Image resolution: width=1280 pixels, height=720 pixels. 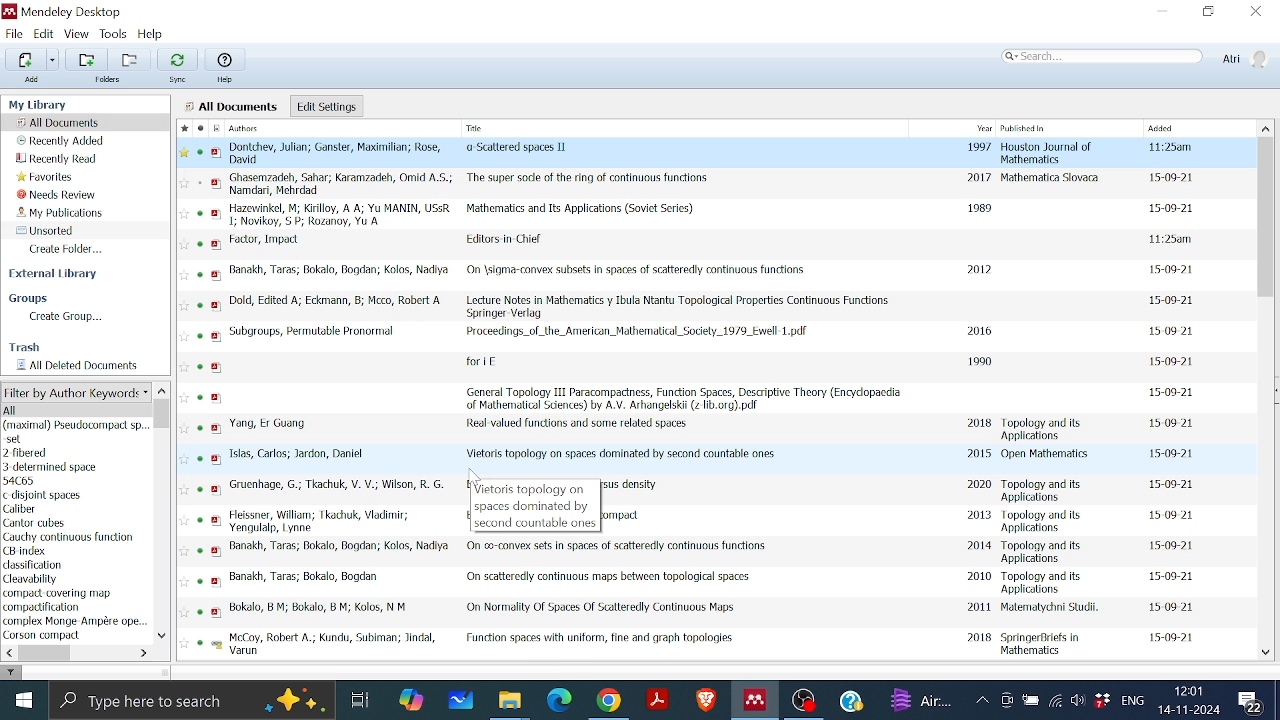 What do you see at coordinates (1168, 269) in the screenshot?
I see `date` at bounding box center [1168, 269].